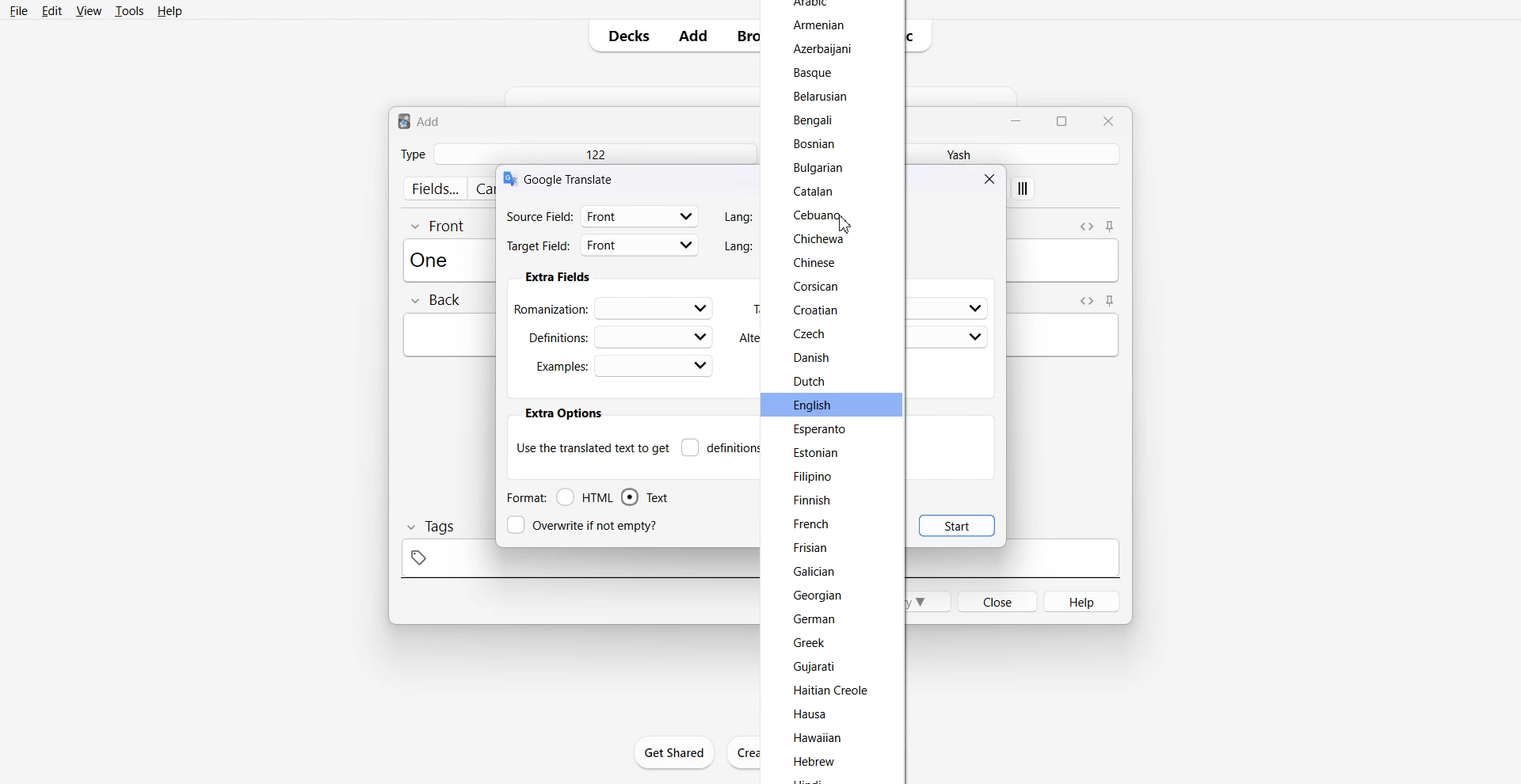  What do you see at coordinates (822, 48) in the screenshot?
I see `Azerbaijani` at bounding box center [822, 48].